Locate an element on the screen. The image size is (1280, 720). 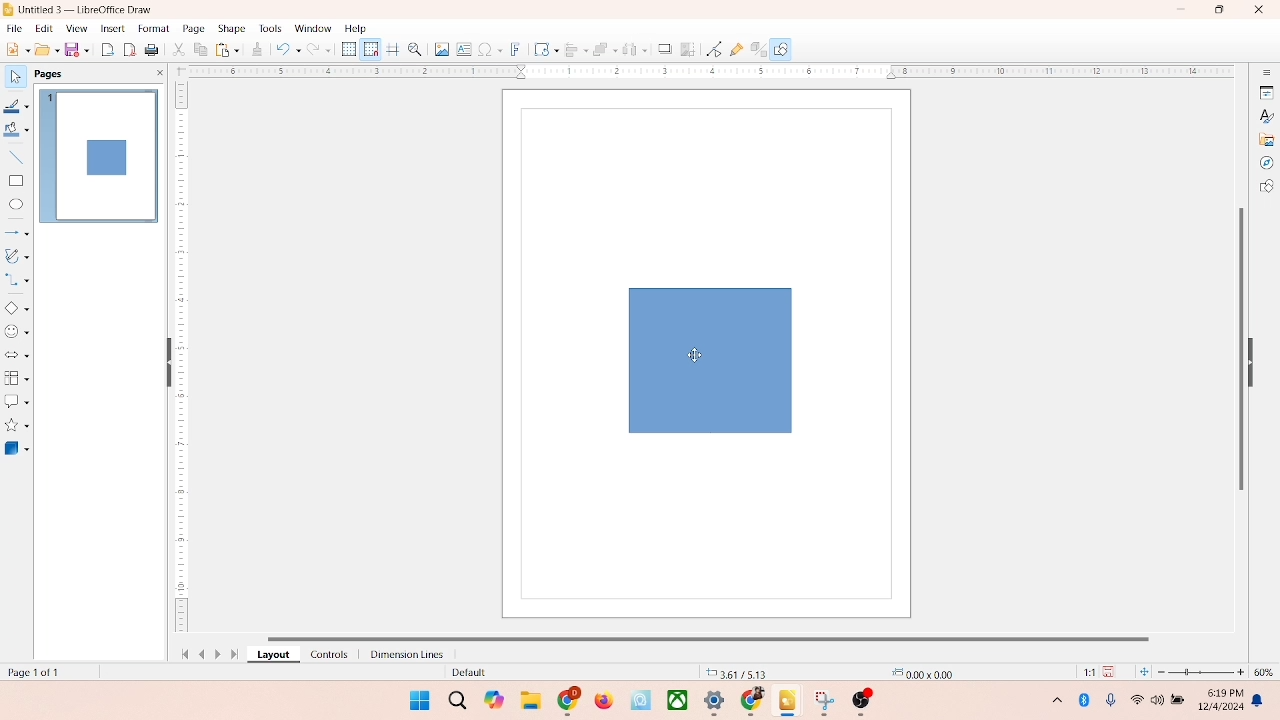
scale bar is located at coordinates (704, 72).